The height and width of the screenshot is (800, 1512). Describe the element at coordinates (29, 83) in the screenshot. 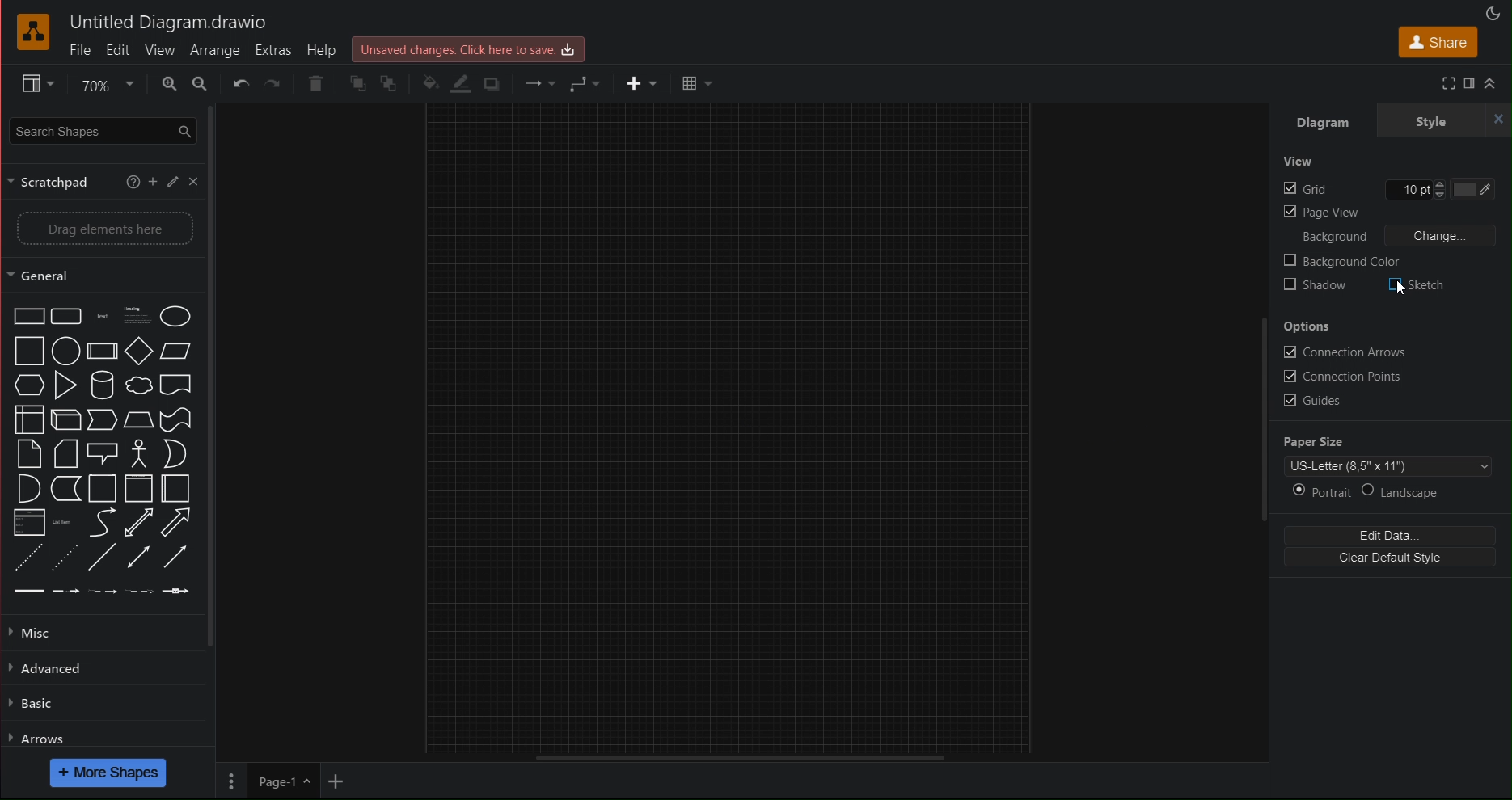

I see `Format` at that location.